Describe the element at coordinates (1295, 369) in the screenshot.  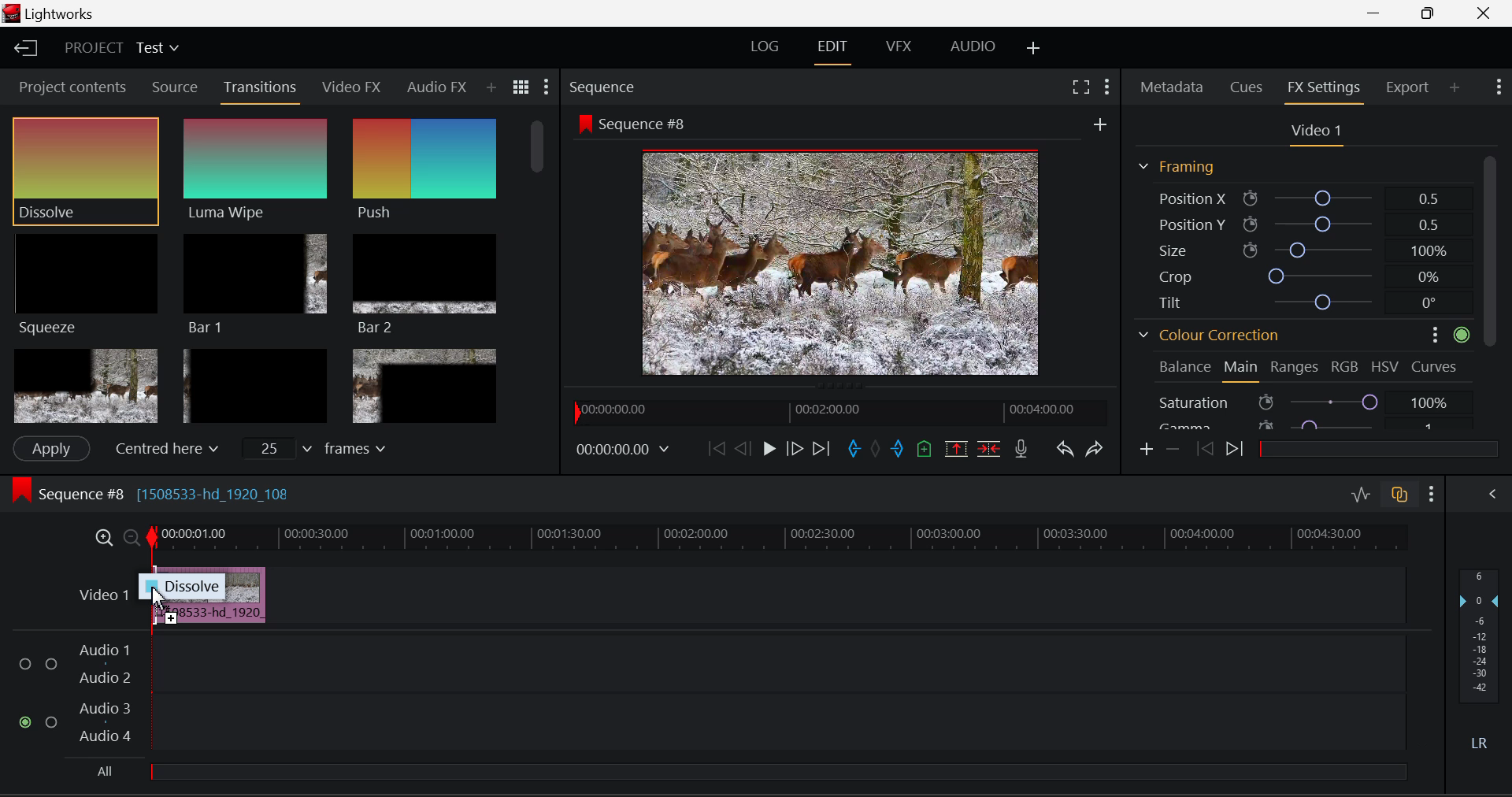
I see `Ranges` at that location.